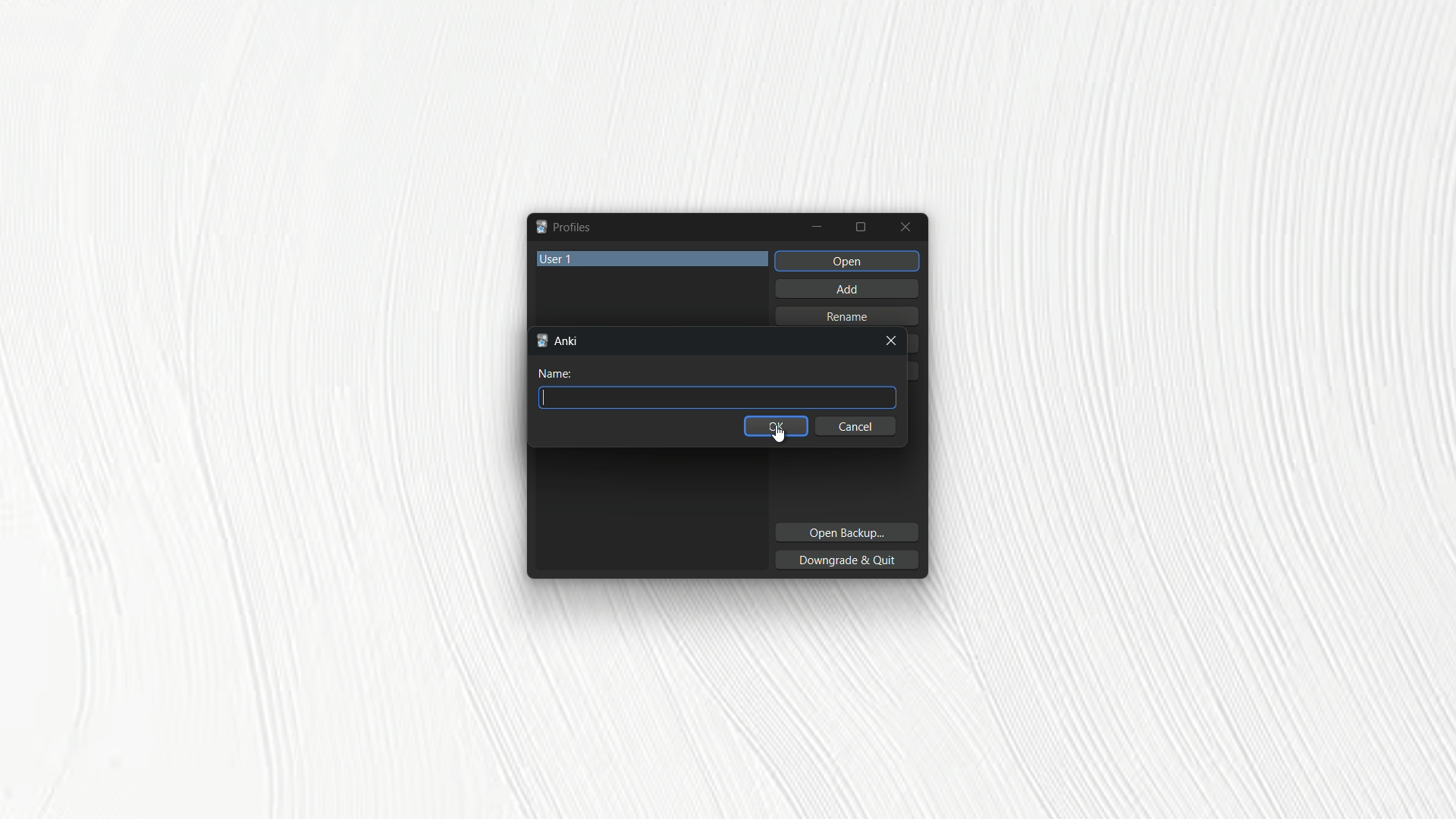 The width and height of the screenshot is (1456, 819). I want to click on name, so click(559, 375).